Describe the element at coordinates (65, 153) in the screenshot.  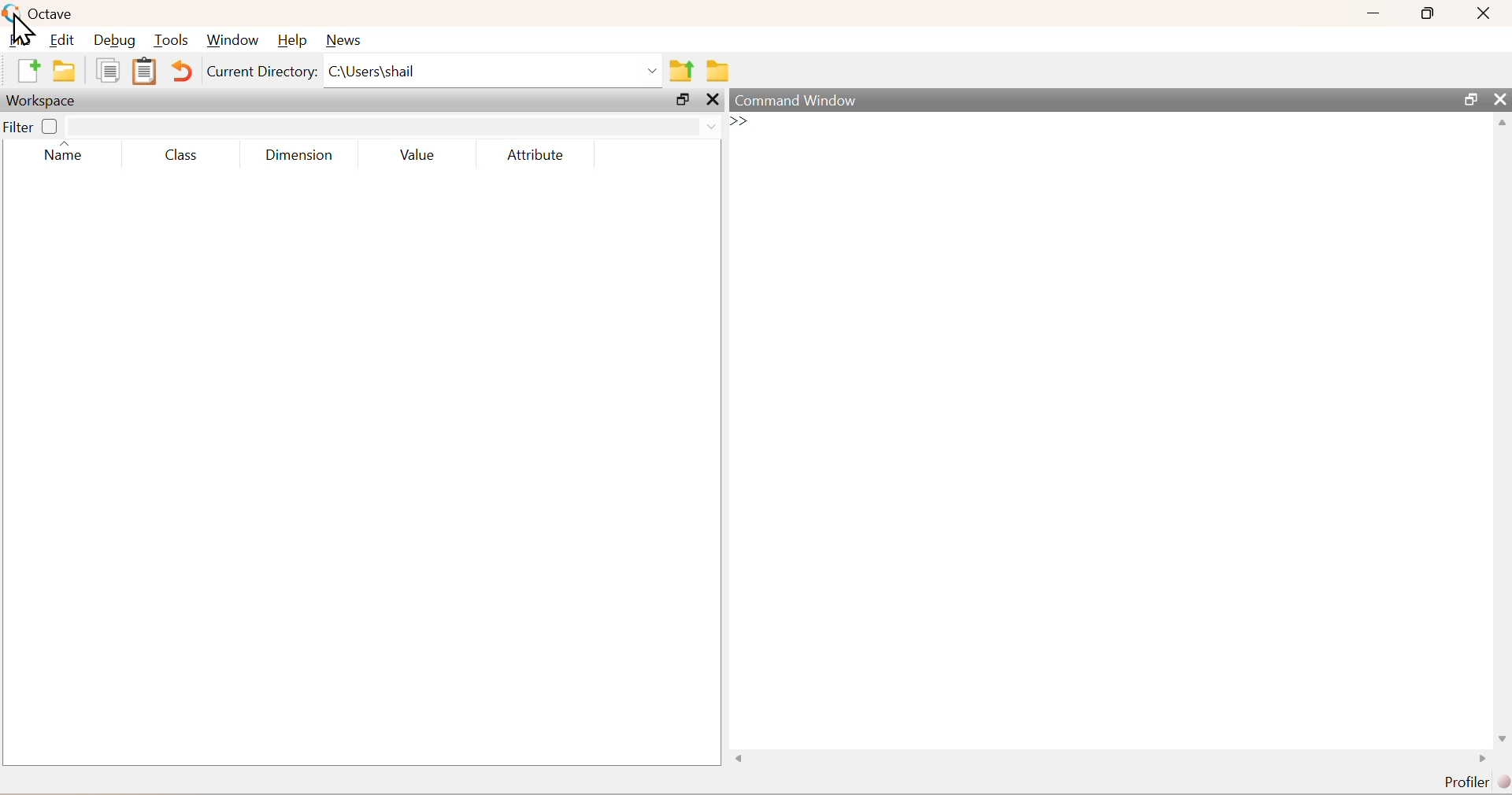
I see `Name` at that location.